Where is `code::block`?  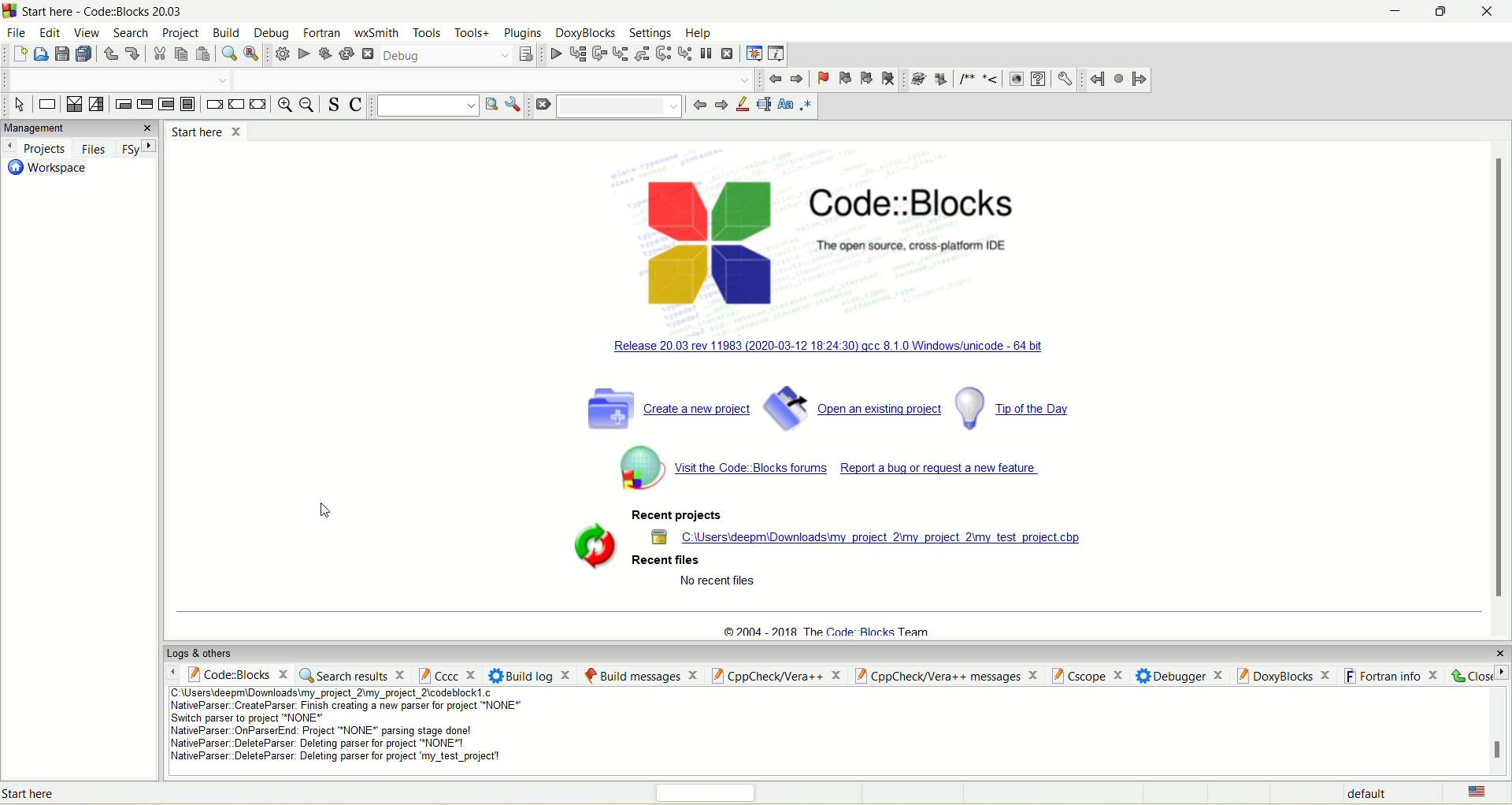
code::block is located at coordinates (235, 677).